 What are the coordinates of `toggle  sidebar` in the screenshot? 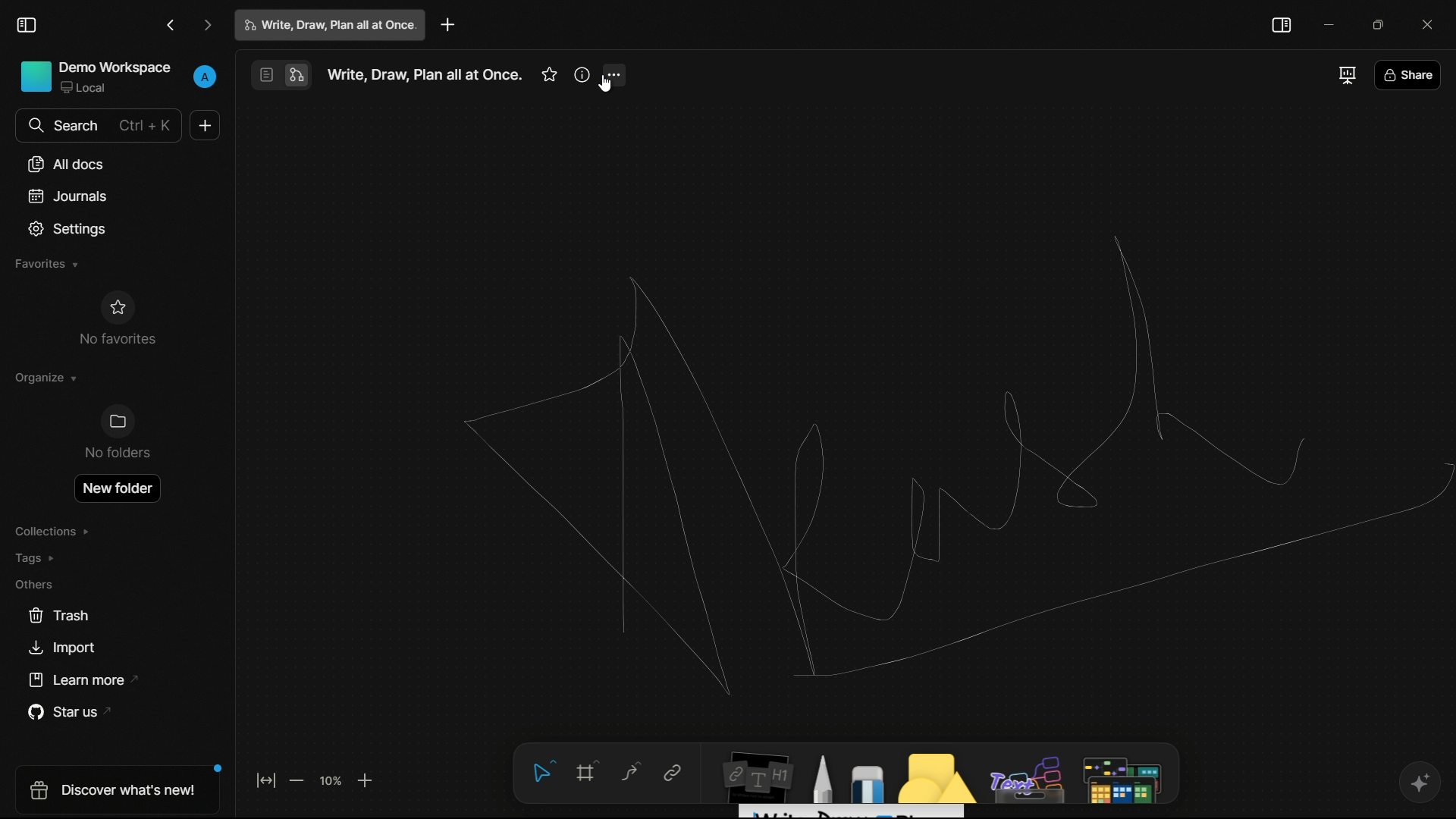 It's located at (25, 27).